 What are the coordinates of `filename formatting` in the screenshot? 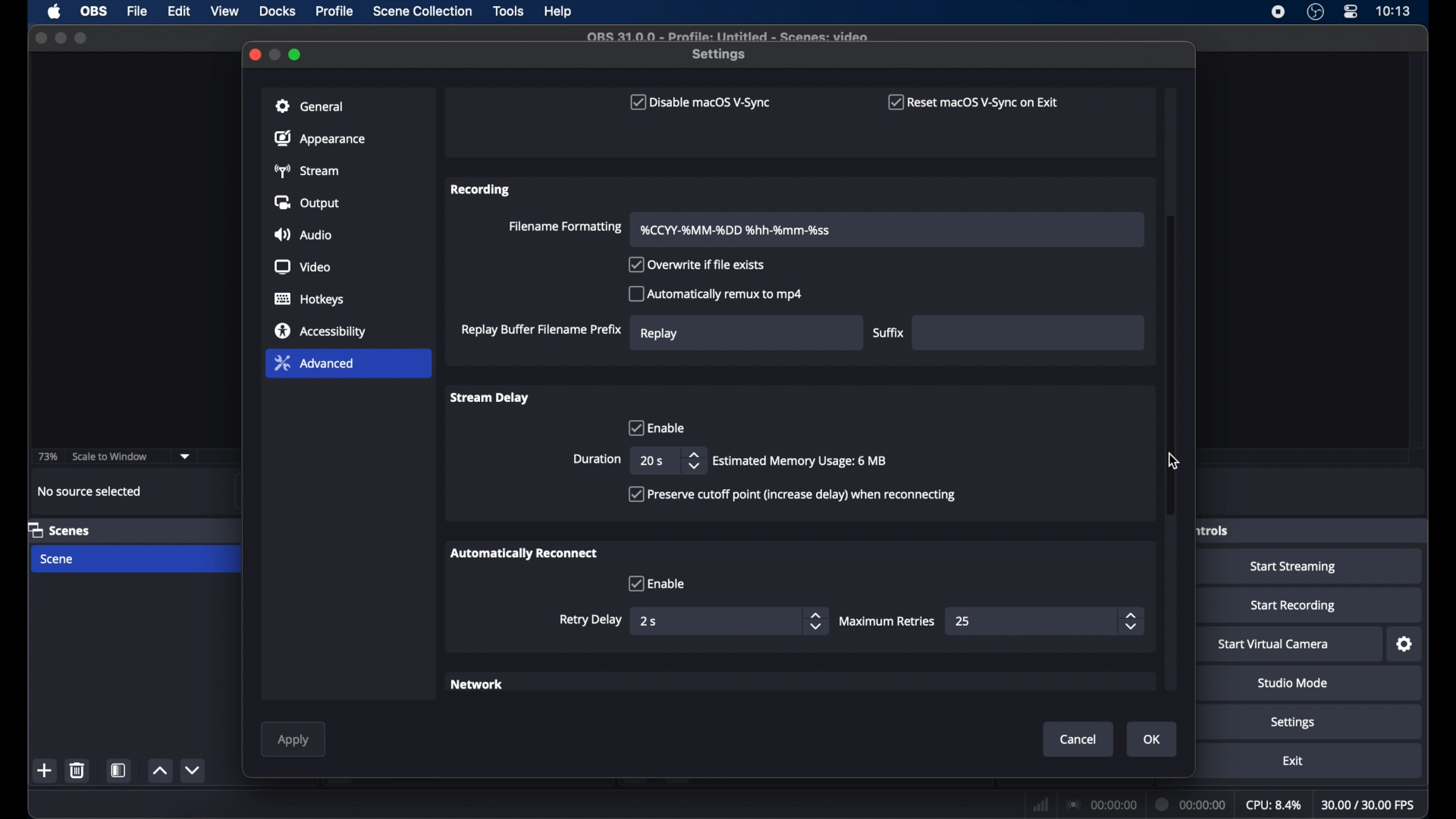 It's located at (563, 227).